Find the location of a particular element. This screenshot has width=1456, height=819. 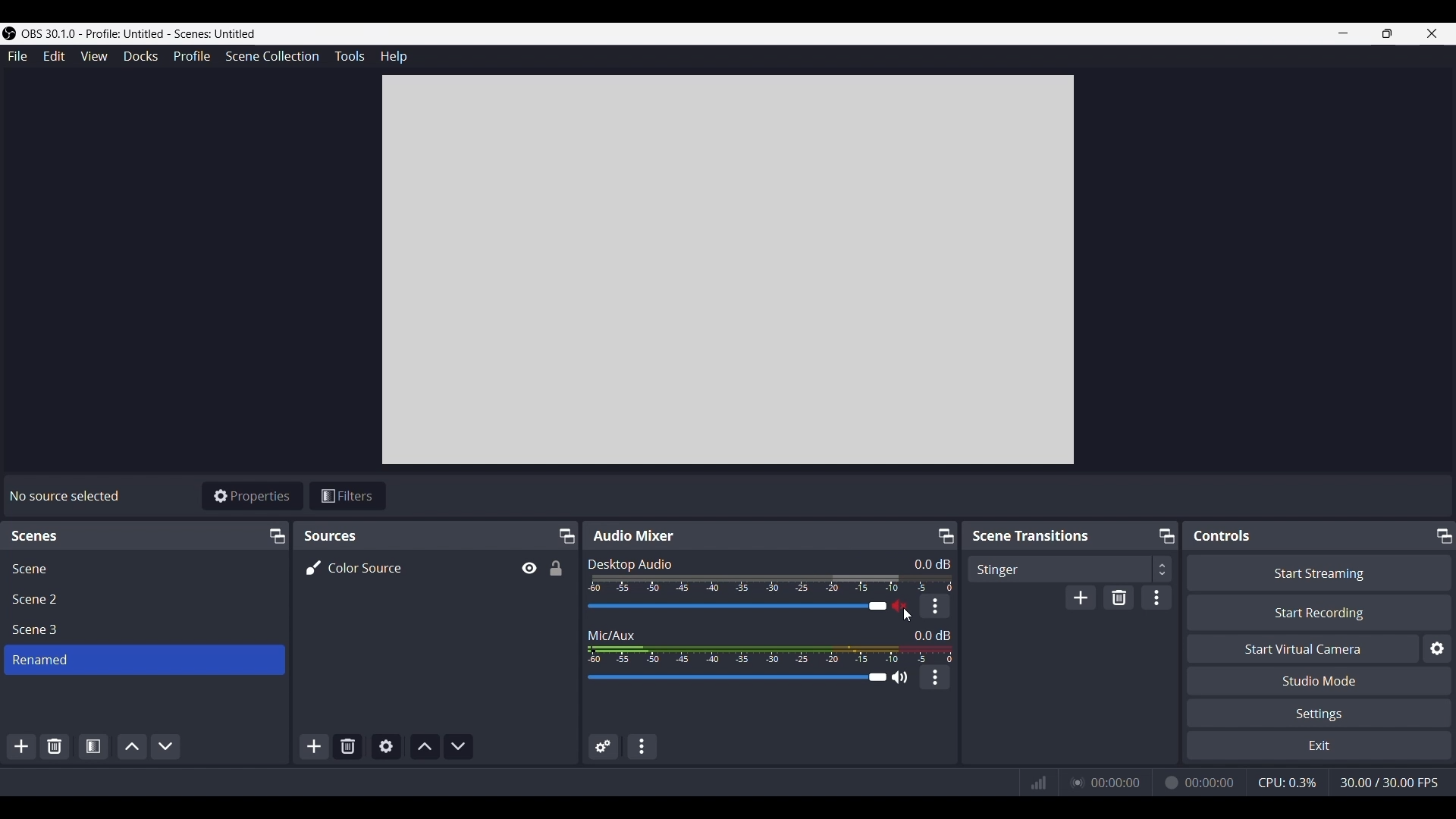

Edit is located at coordinates (54, 57).